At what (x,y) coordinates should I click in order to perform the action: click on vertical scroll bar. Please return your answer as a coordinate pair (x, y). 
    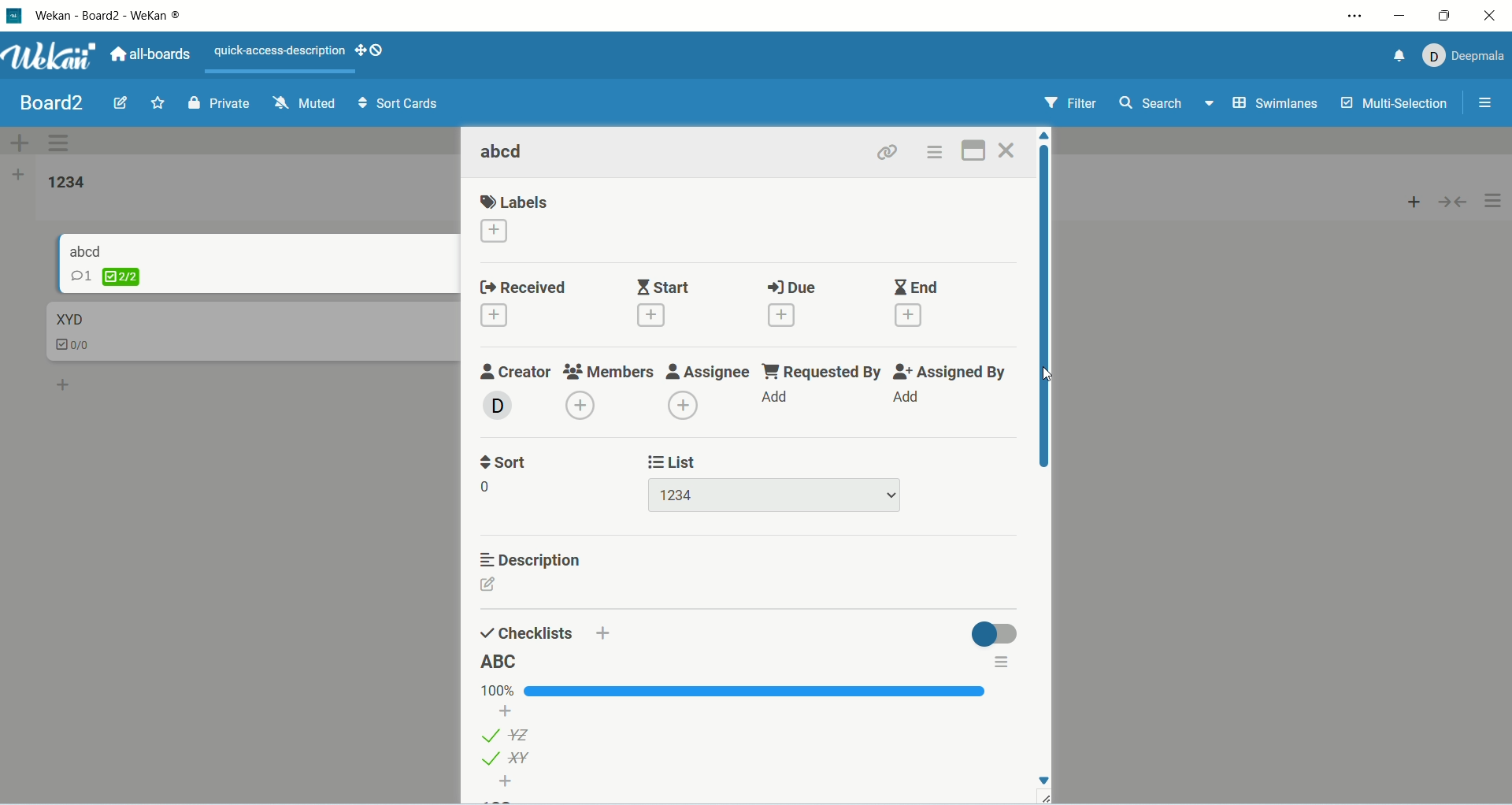
    Looking at the image, I should click on (1043, 308).